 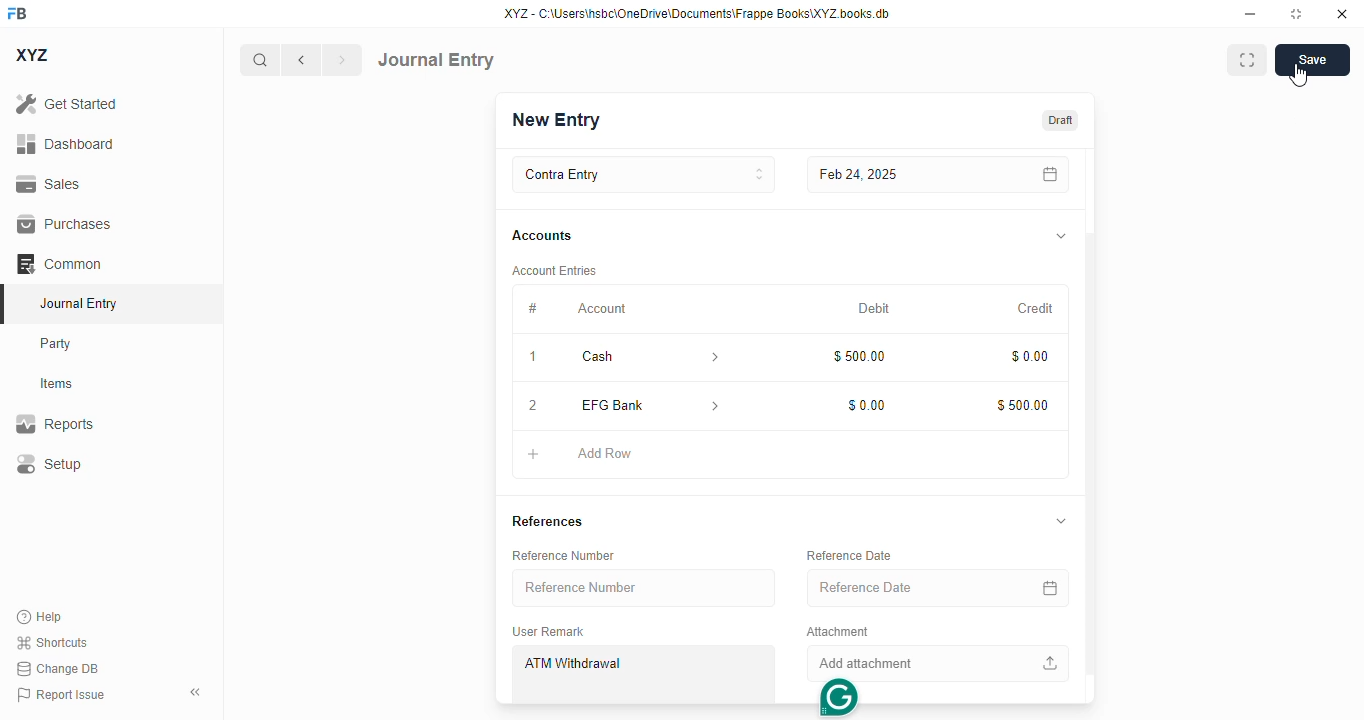 I want to click on credit, so click(x=1035, y=308).